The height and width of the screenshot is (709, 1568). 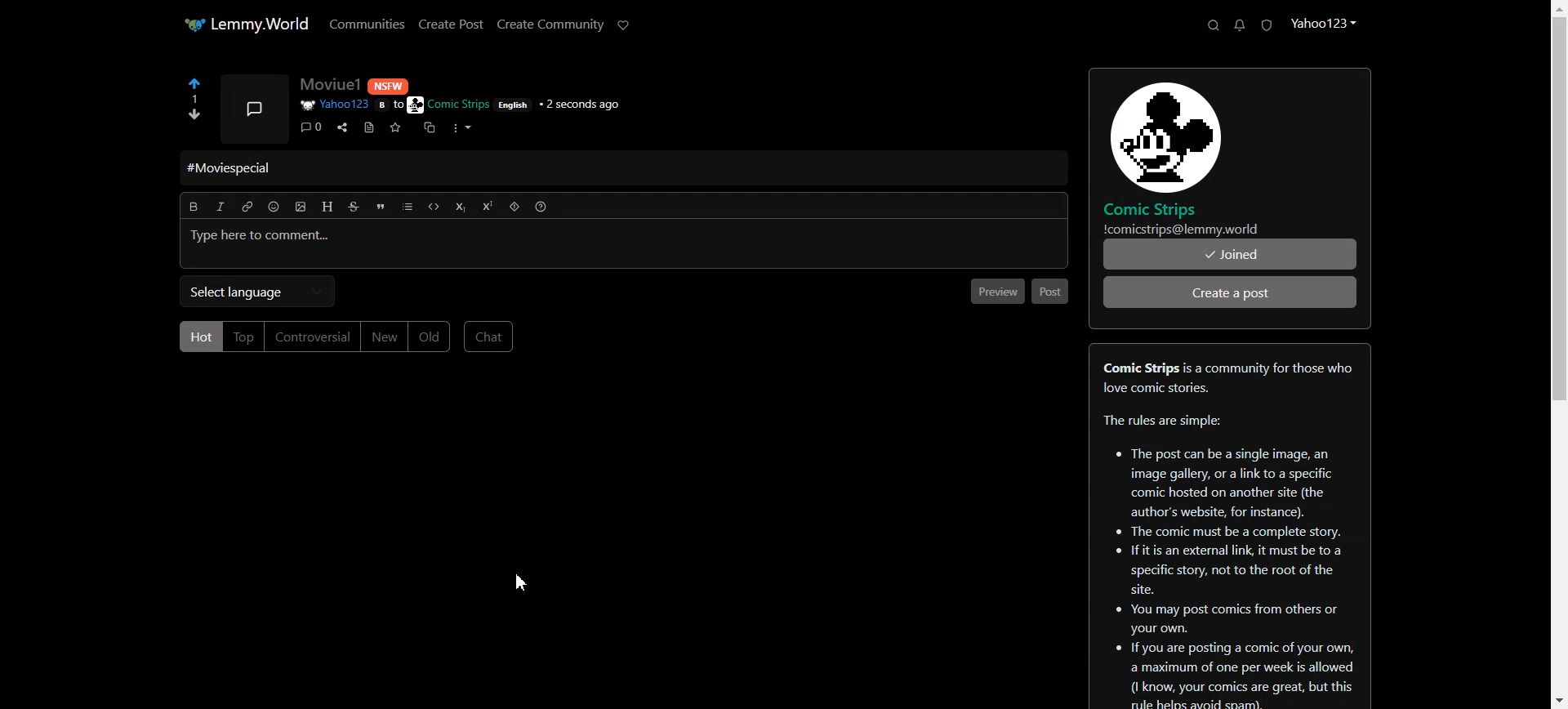 I want to click on Create a Post, so click(x=1230, y=292).